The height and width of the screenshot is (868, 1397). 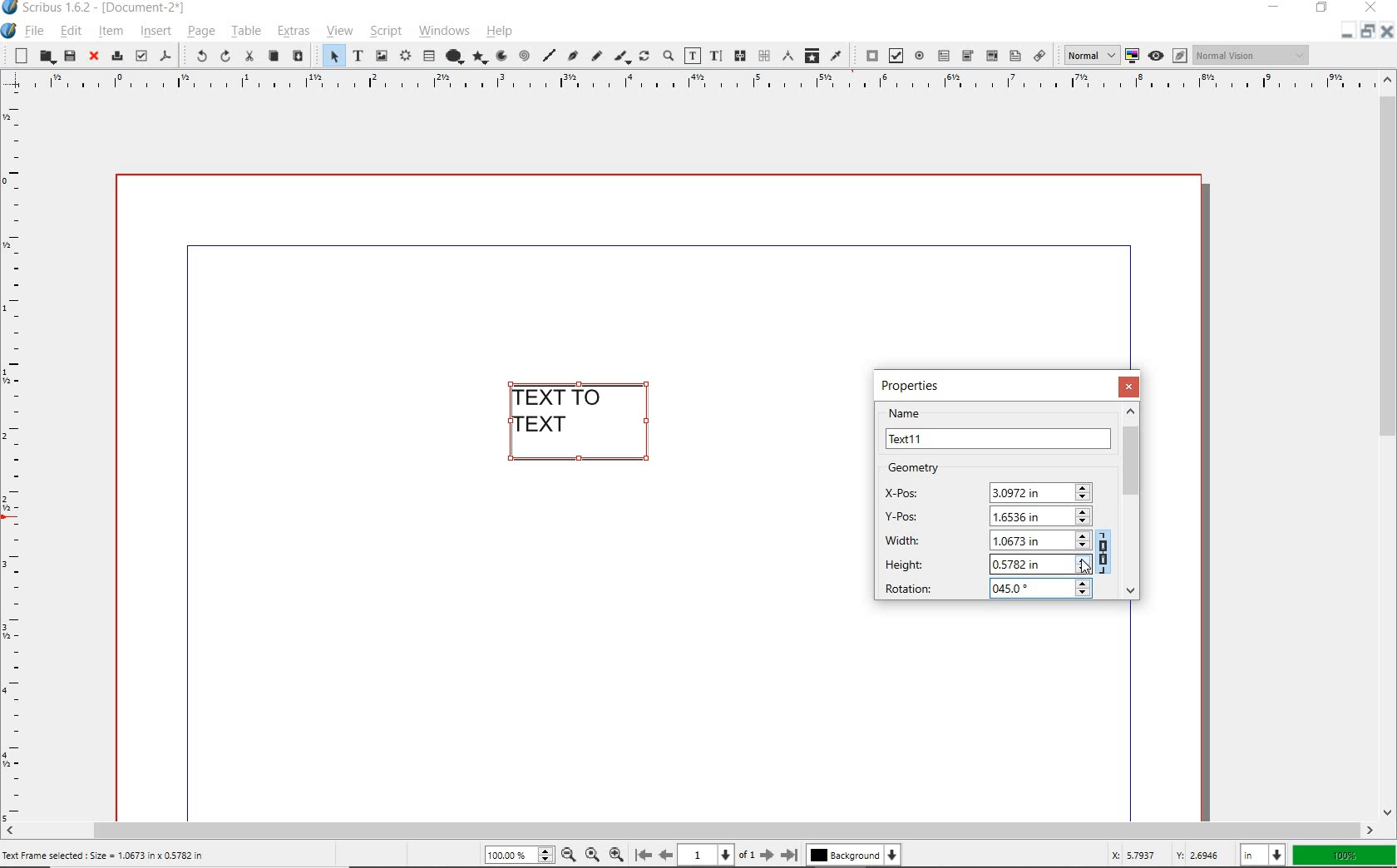 I want to click on preview mode, so click(x=1168, y=56).